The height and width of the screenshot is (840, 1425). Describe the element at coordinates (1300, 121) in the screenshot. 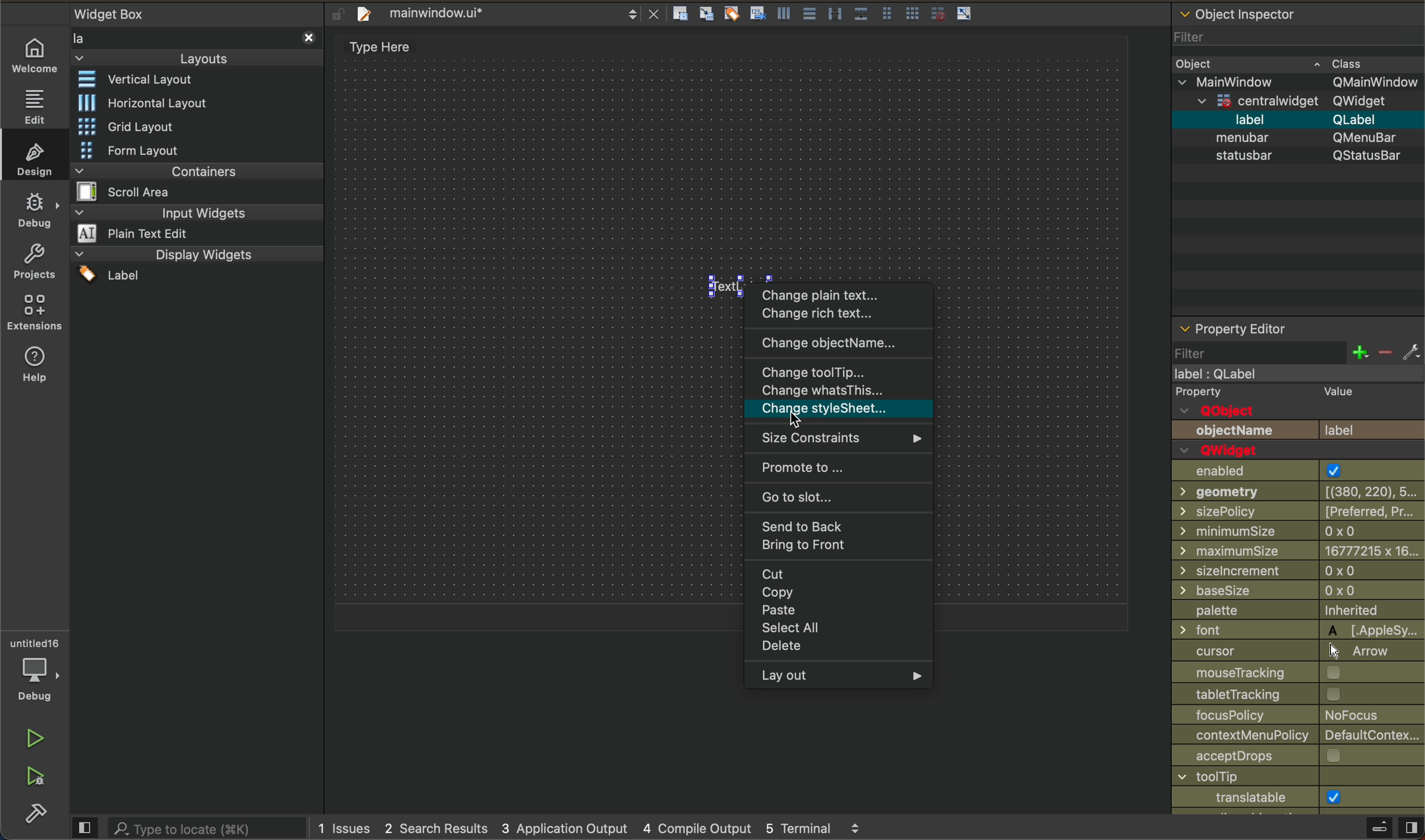

I see `label` at that location.